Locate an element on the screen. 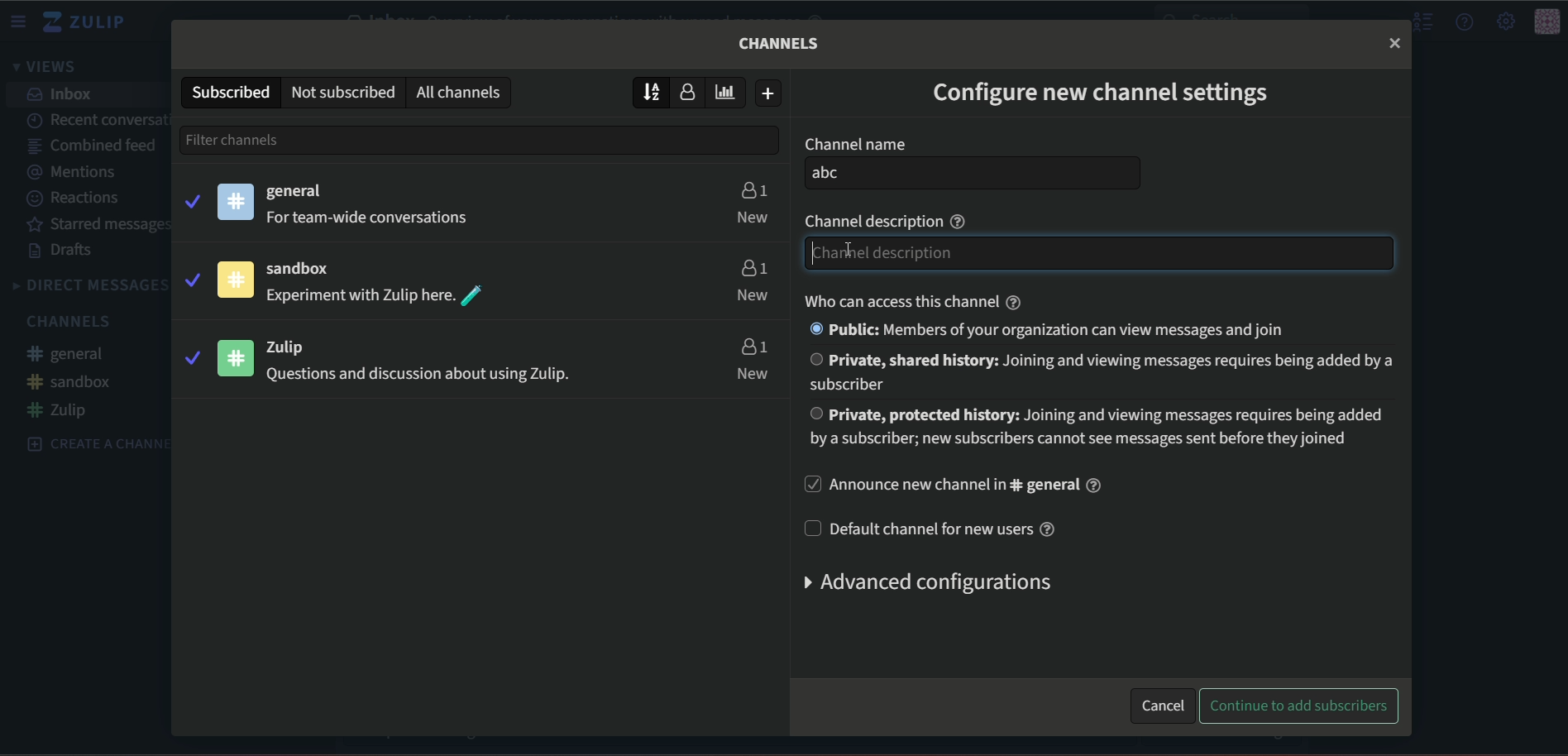 The image size is (1568, 756). #zulip is located at coordinates (63, 410).